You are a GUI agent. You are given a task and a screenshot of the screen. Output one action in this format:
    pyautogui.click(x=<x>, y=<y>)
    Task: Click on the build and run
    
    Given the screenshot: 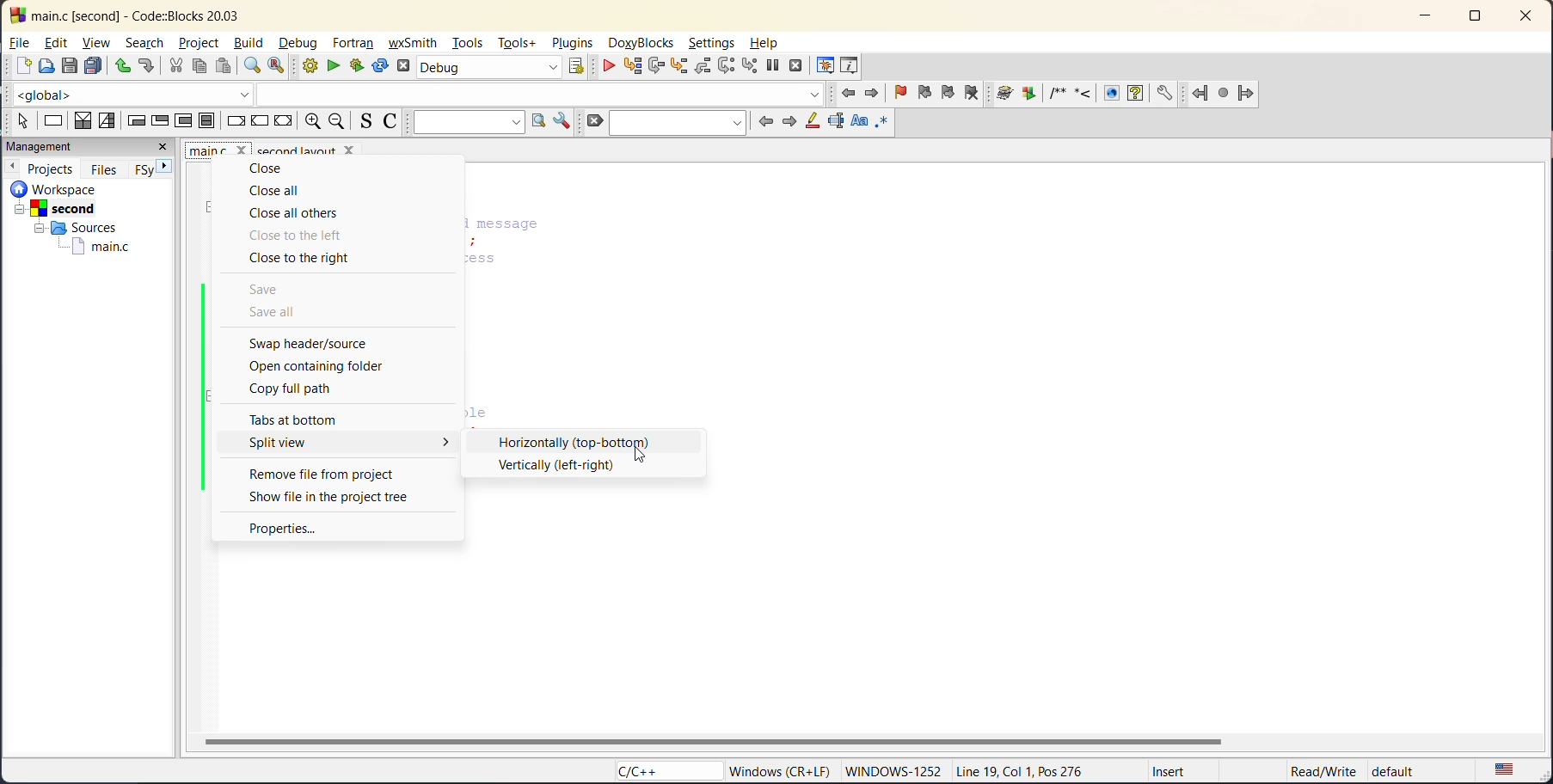 What is the action you would take?
    pyautogui.click(x=359, y=64)
    